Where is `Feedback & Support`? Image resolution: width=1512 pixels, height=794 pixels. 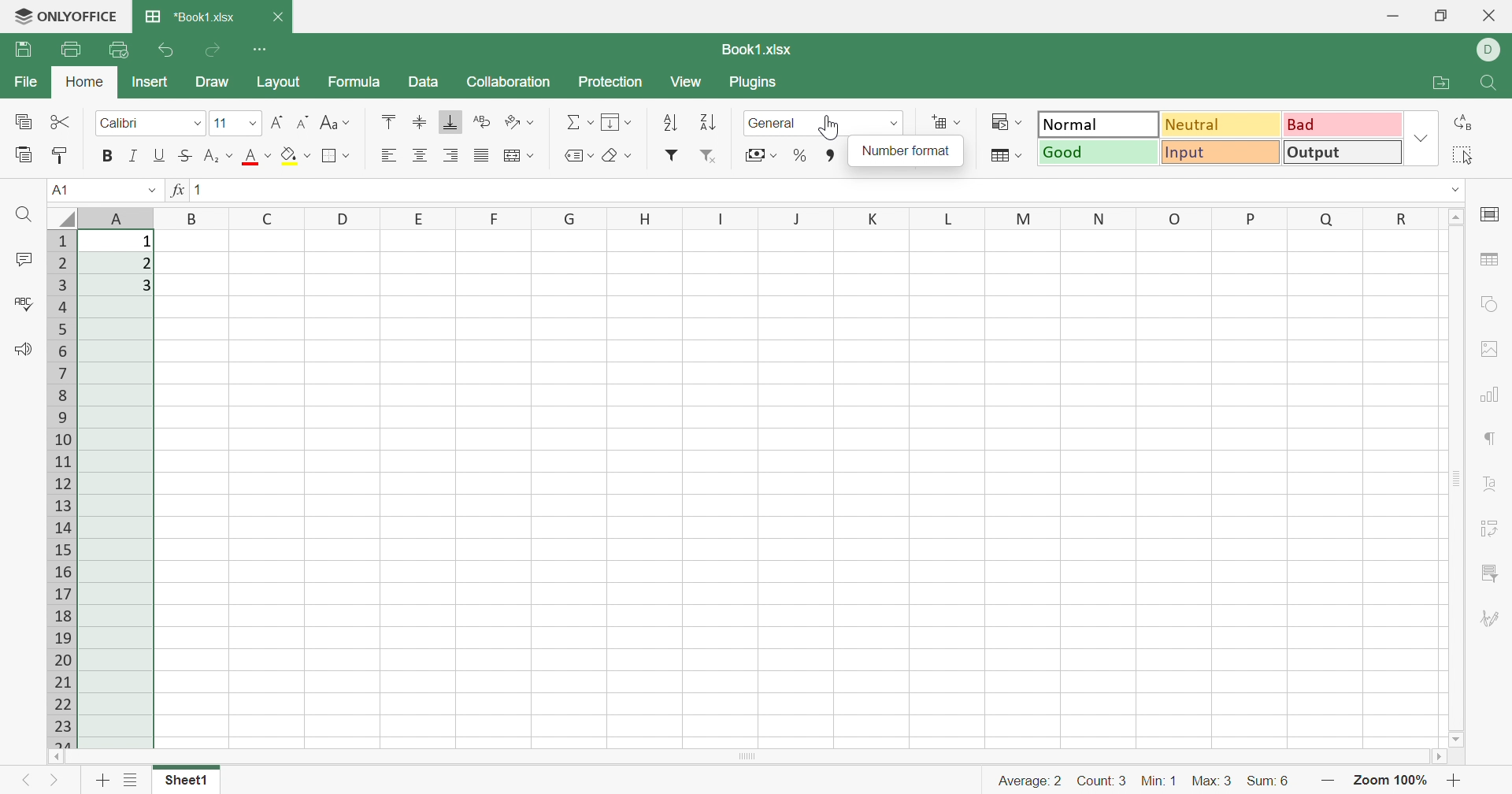 Feedback & Support is located at coordinates (23, 349).